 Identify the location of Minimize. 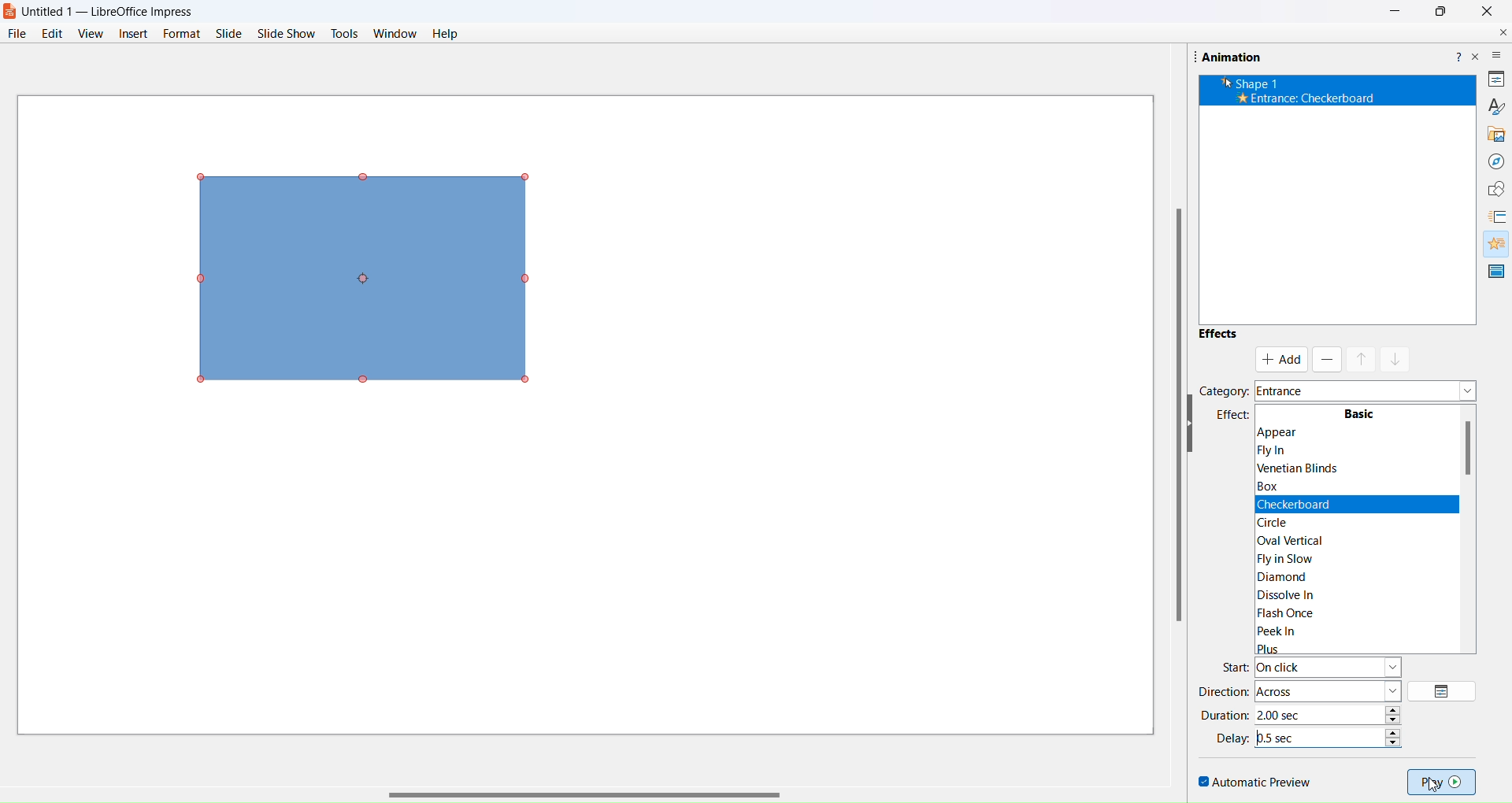
(1392, 13).